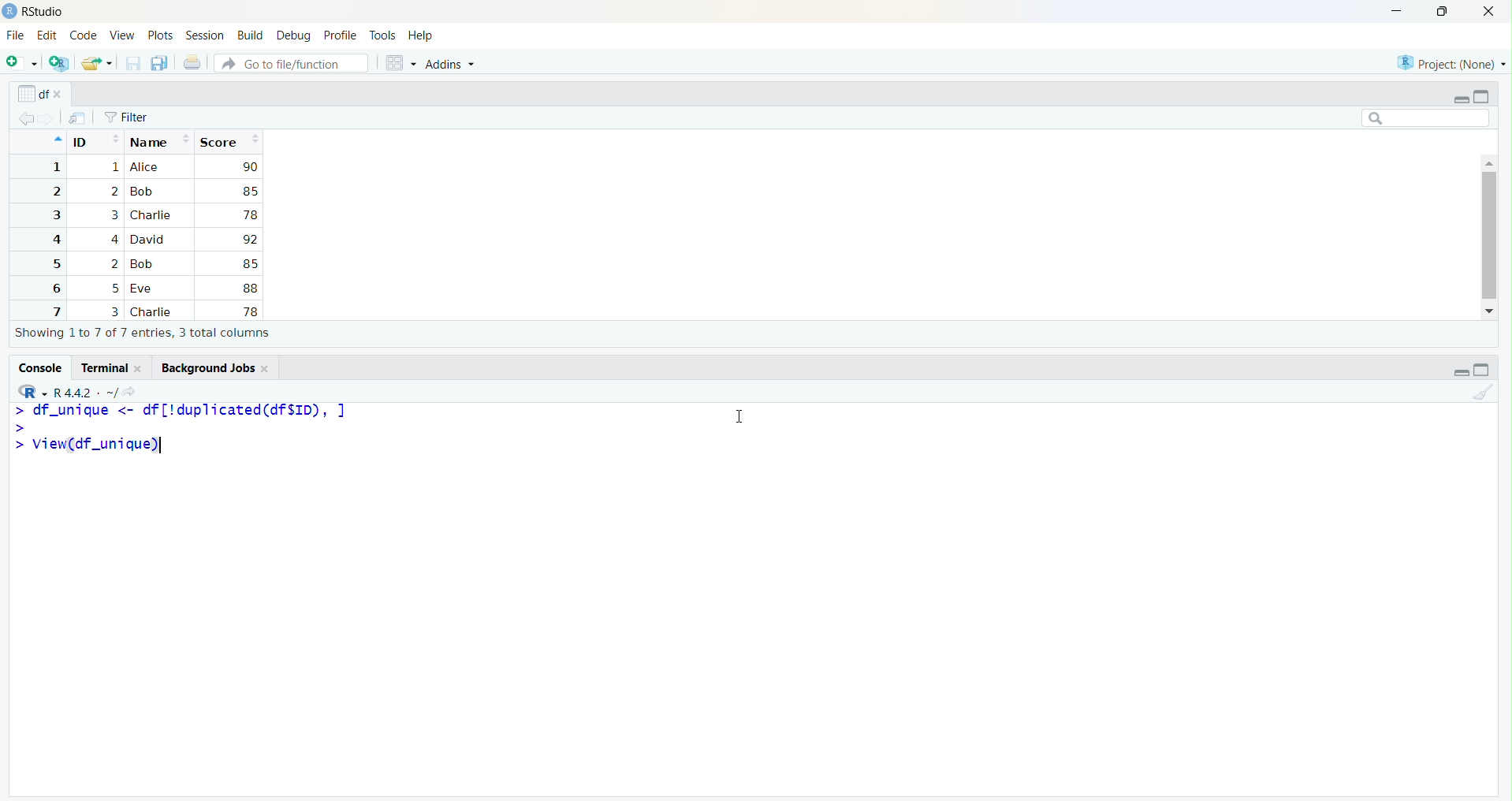 The height and width of the screenshot is (801, 1512). Describe the element at coordinates (26, 119) in the screenshot. I see `back` at that location.